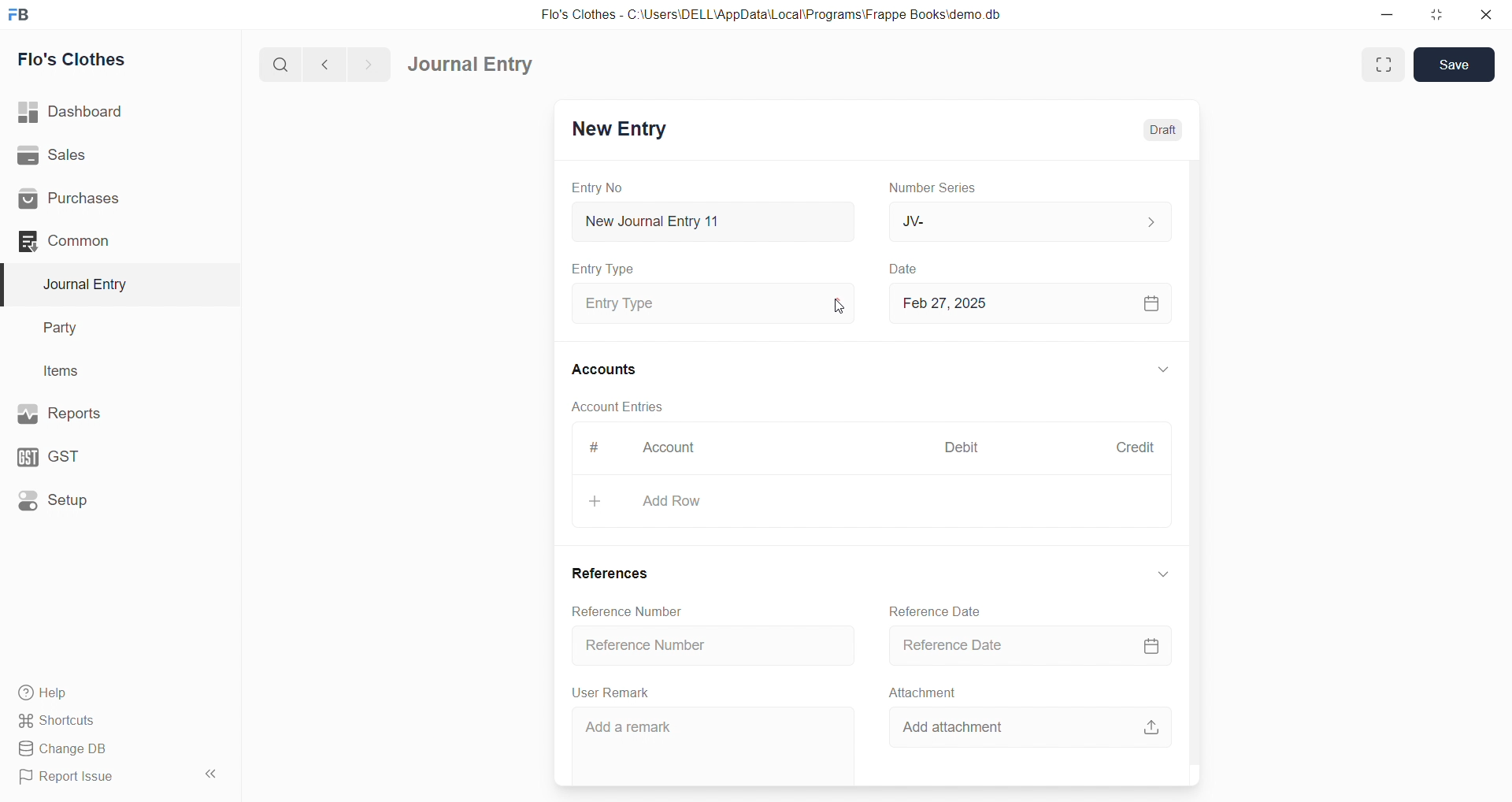 This screenshot has width=1512, height=802. I want to click on Add a remark, so click(712, 746).